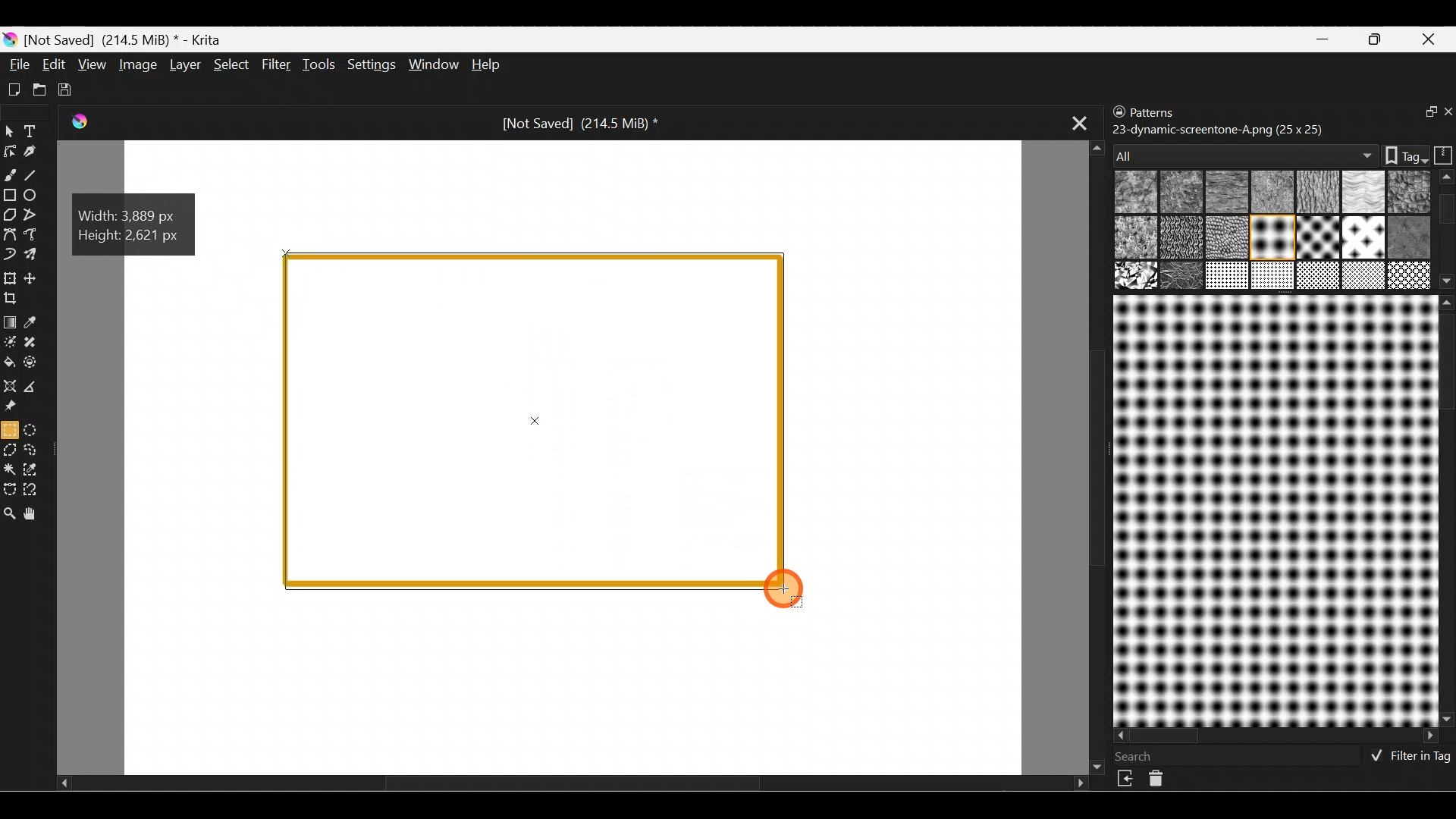  Describe the element at coordinates (1127, 779) in the screenshot. I see `Import resource` at that location.